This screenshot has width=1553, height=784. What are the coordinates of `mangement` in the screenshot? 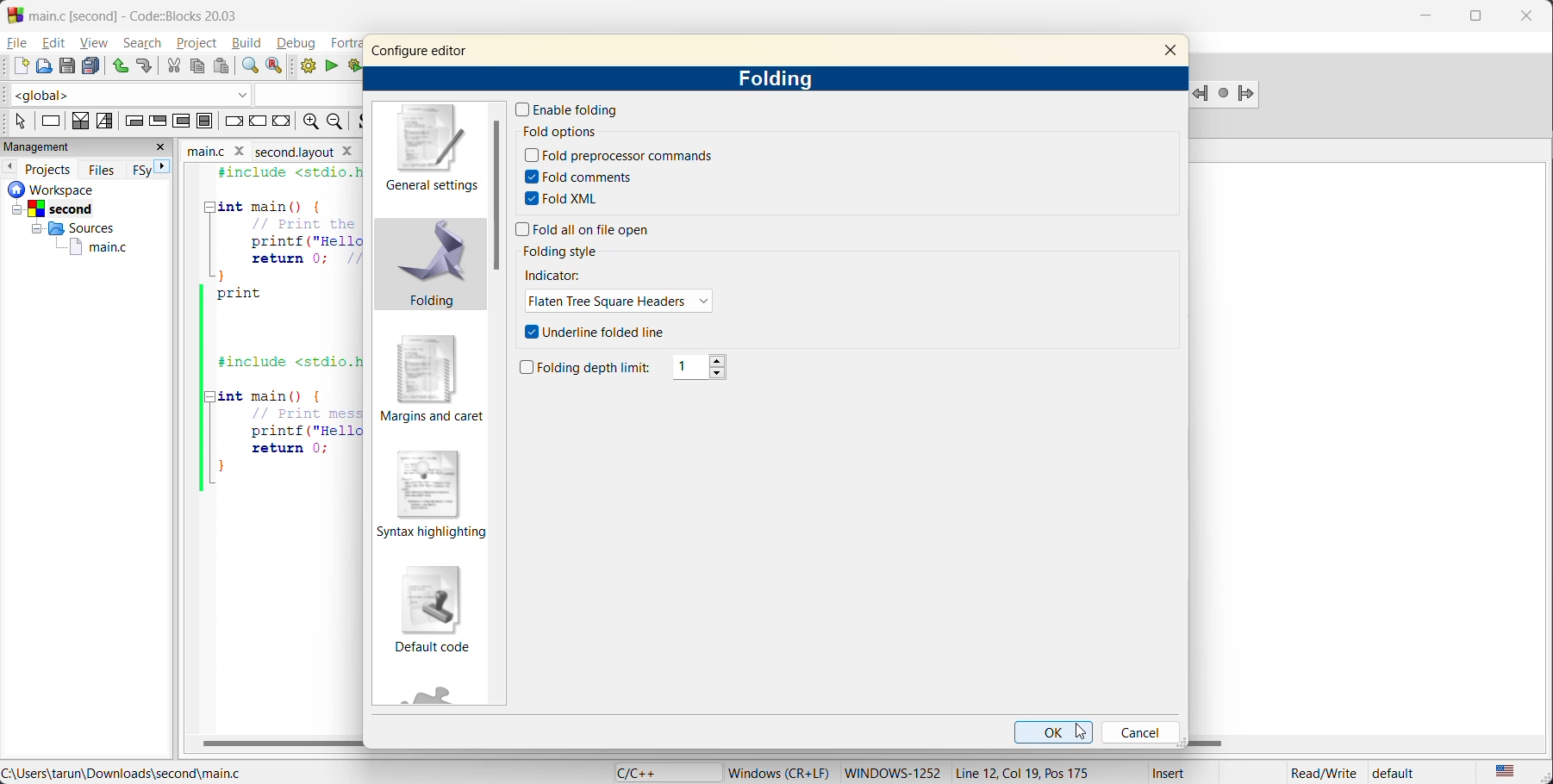 It's located at (48, 145).